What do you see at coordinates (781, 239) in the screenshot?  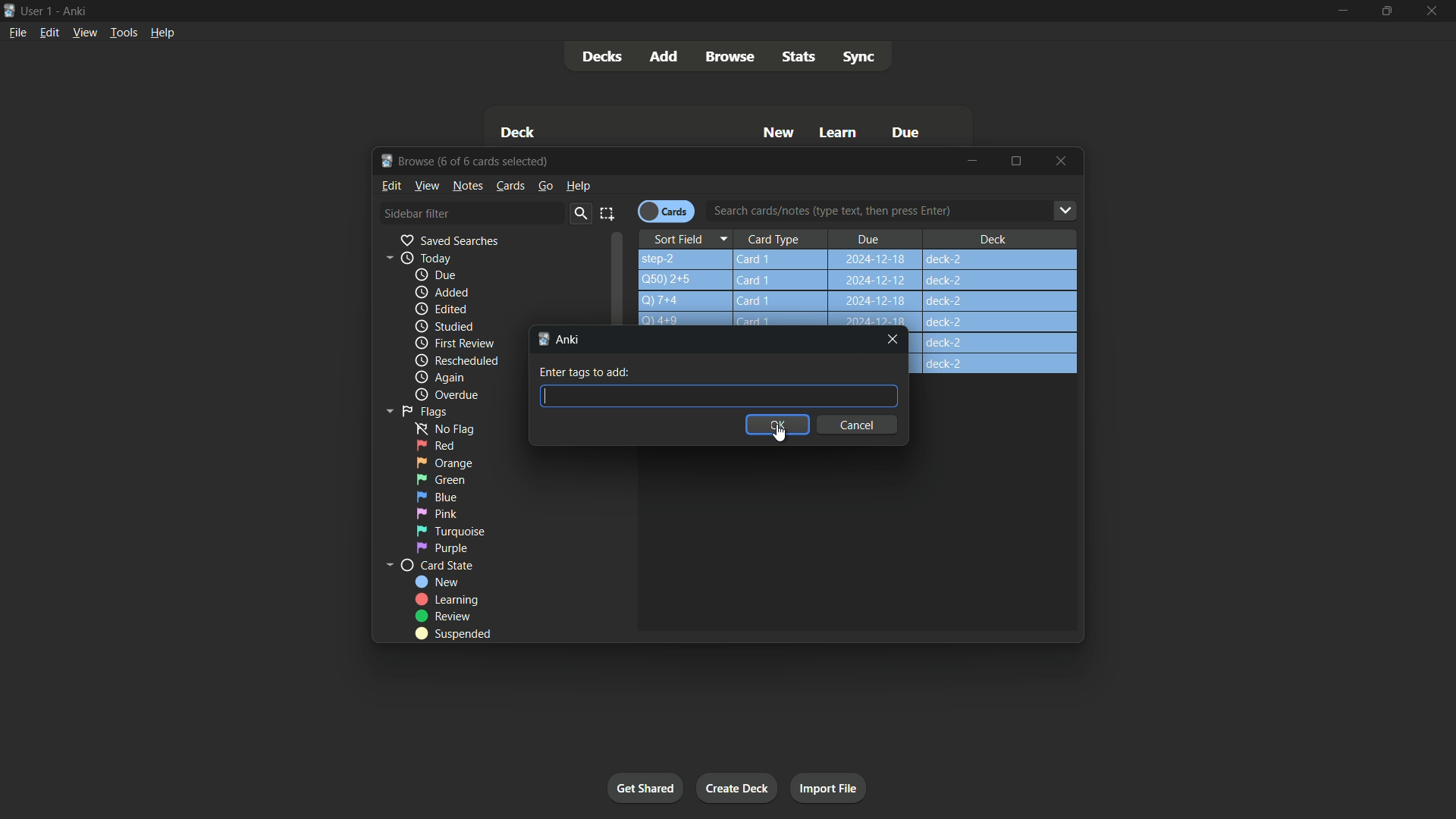 I see `Card Type` at bounding box center [781, 239].